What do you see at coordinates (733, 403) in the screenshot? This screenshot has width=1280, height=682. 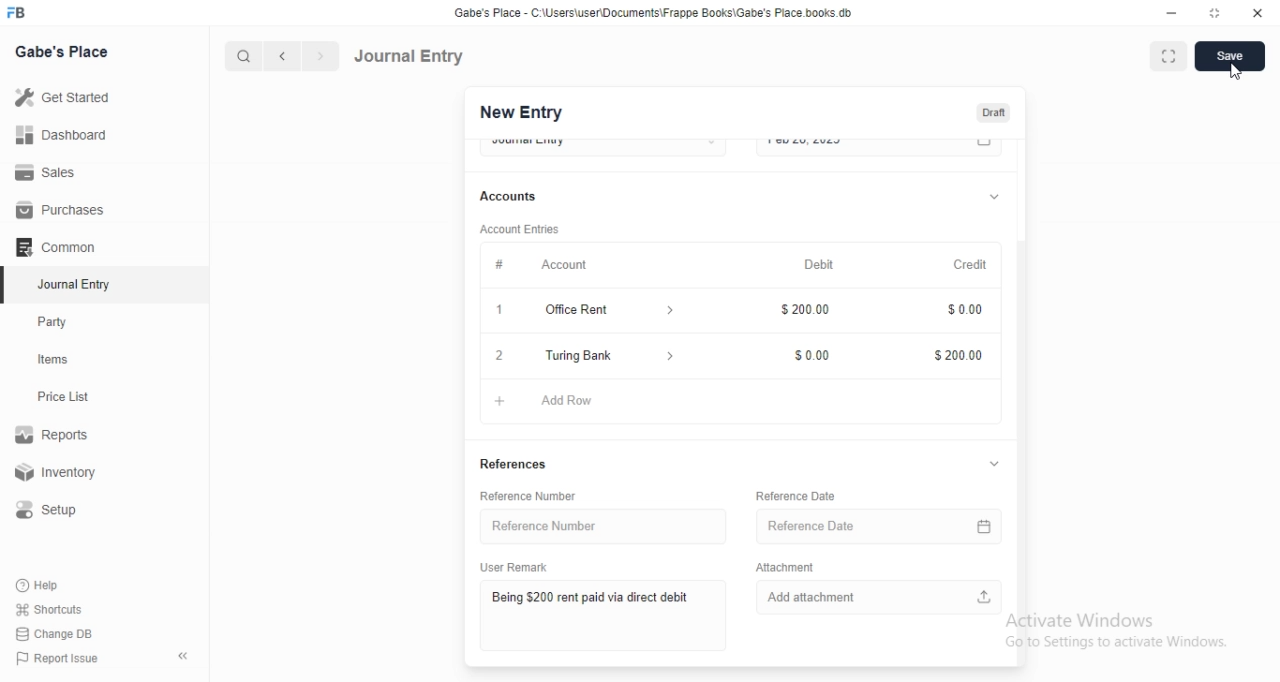 I see `+ AddRow` at bounding box center [733, 403].